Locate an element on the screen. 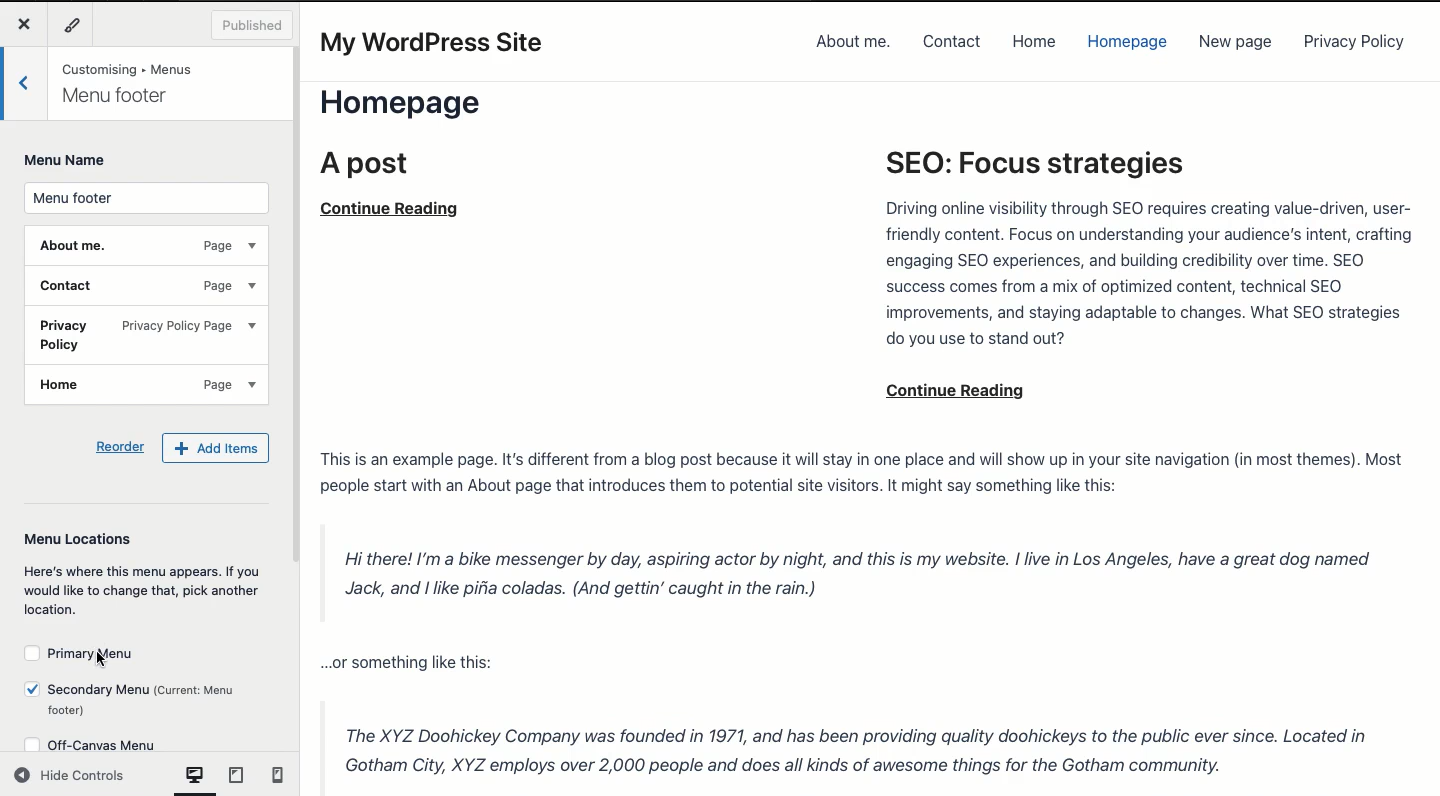  continue is located at coordinates (395, 208).